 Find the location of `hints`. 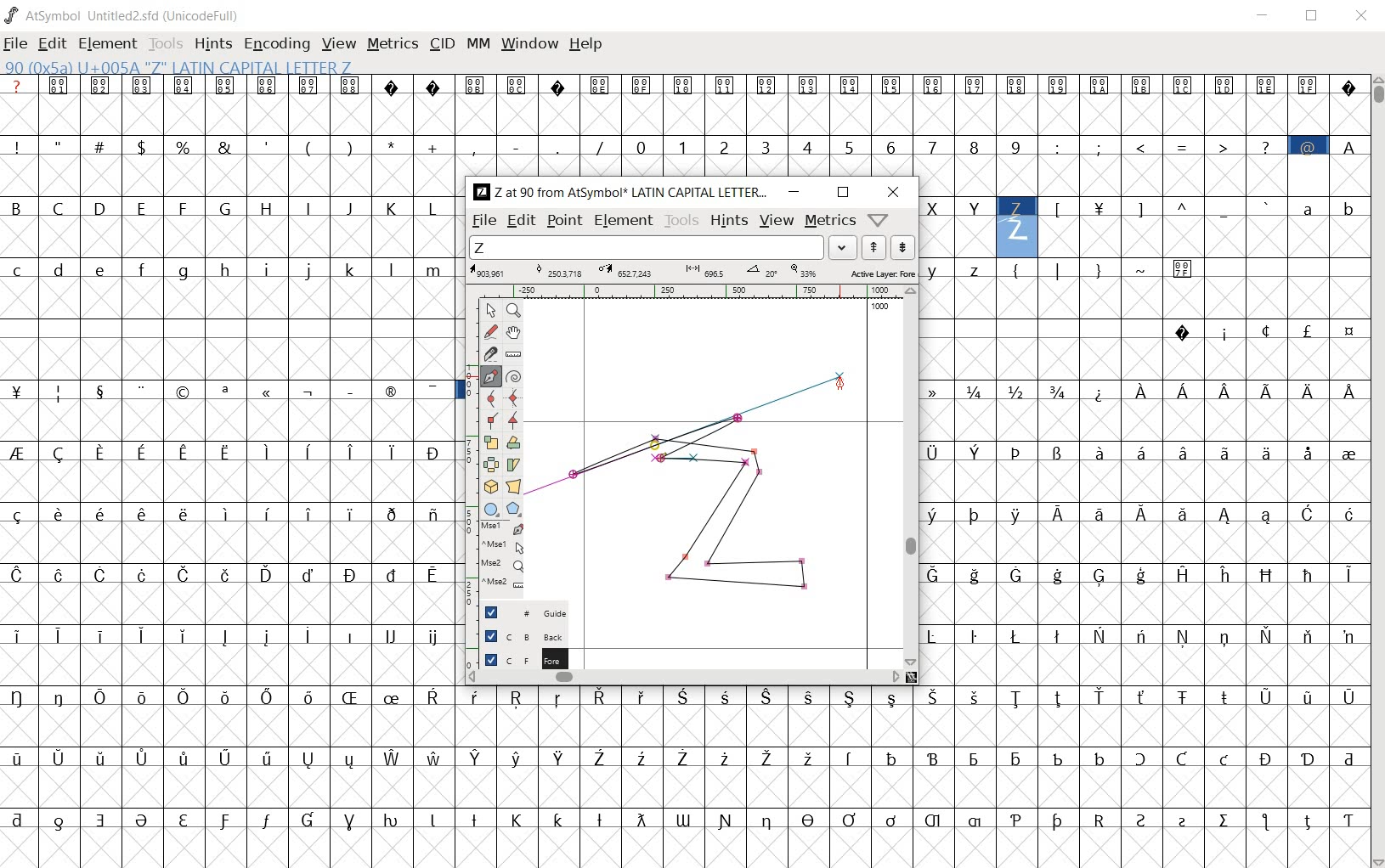

hints is located at coordinates (213, 45).